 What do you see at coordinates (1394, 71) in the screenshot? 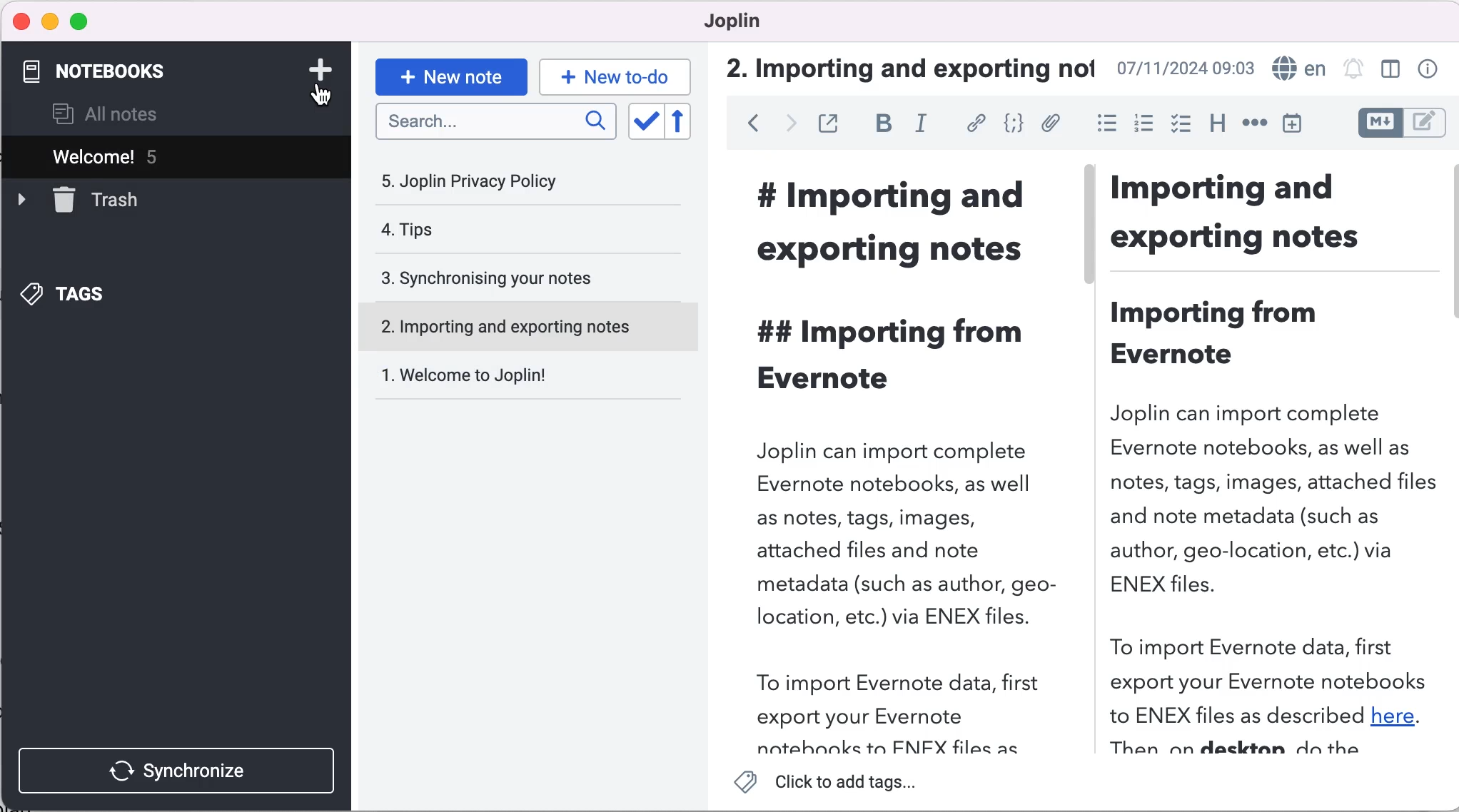
I see `toggle editor layout` at bounding box center [1394, 71].